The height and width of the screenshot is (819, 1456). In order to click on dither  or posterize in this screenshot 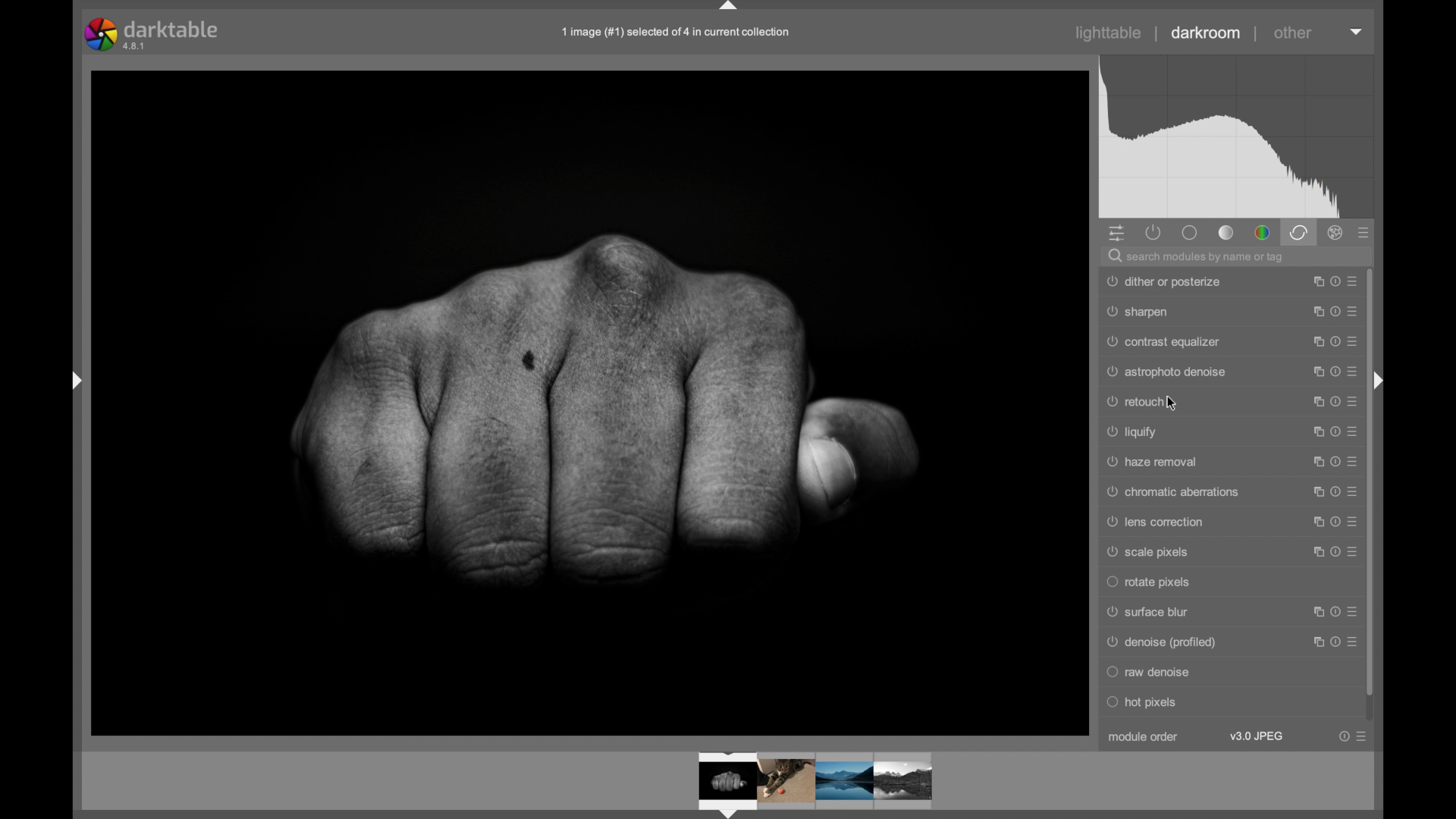, I will do `click(1165, 282)`.